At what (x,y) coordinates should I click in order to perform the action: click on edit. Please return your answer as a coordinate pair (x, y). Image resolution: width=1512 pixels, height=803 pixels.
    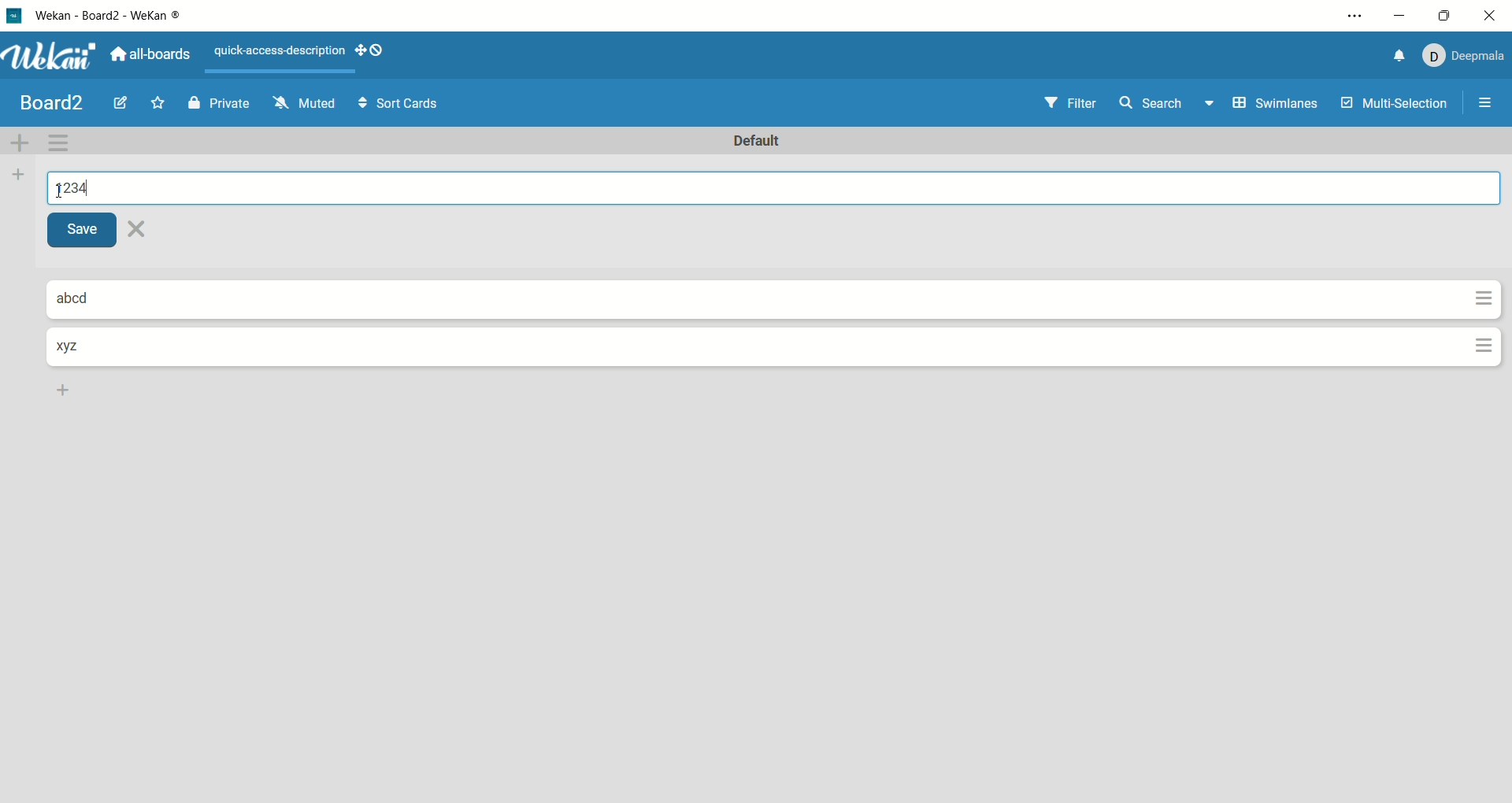
    Looking at the image, I should click on (121, 105).